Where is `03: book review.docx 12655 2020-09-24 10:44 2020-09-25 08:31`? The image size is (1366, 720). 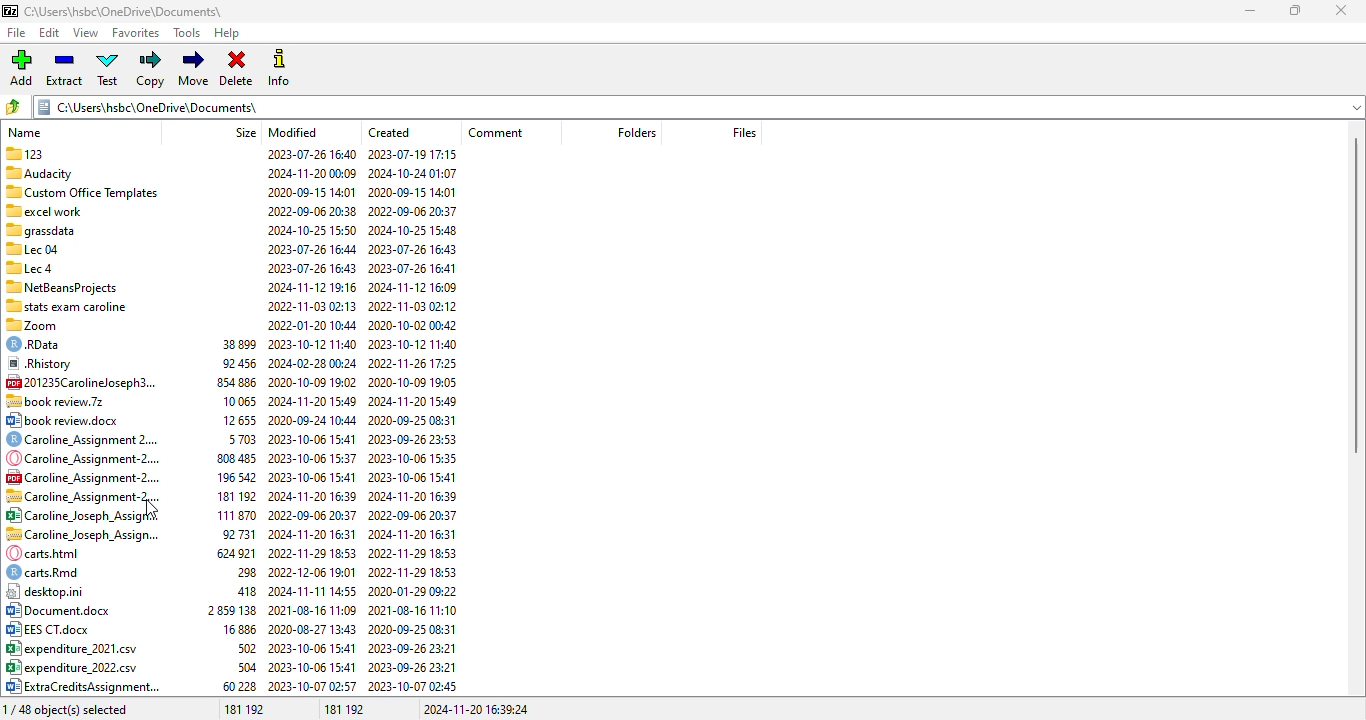
03: book review.docx 12655 2020-09-24 10:44 2020-09-25 08:31 is located at coordinates (229, 421).